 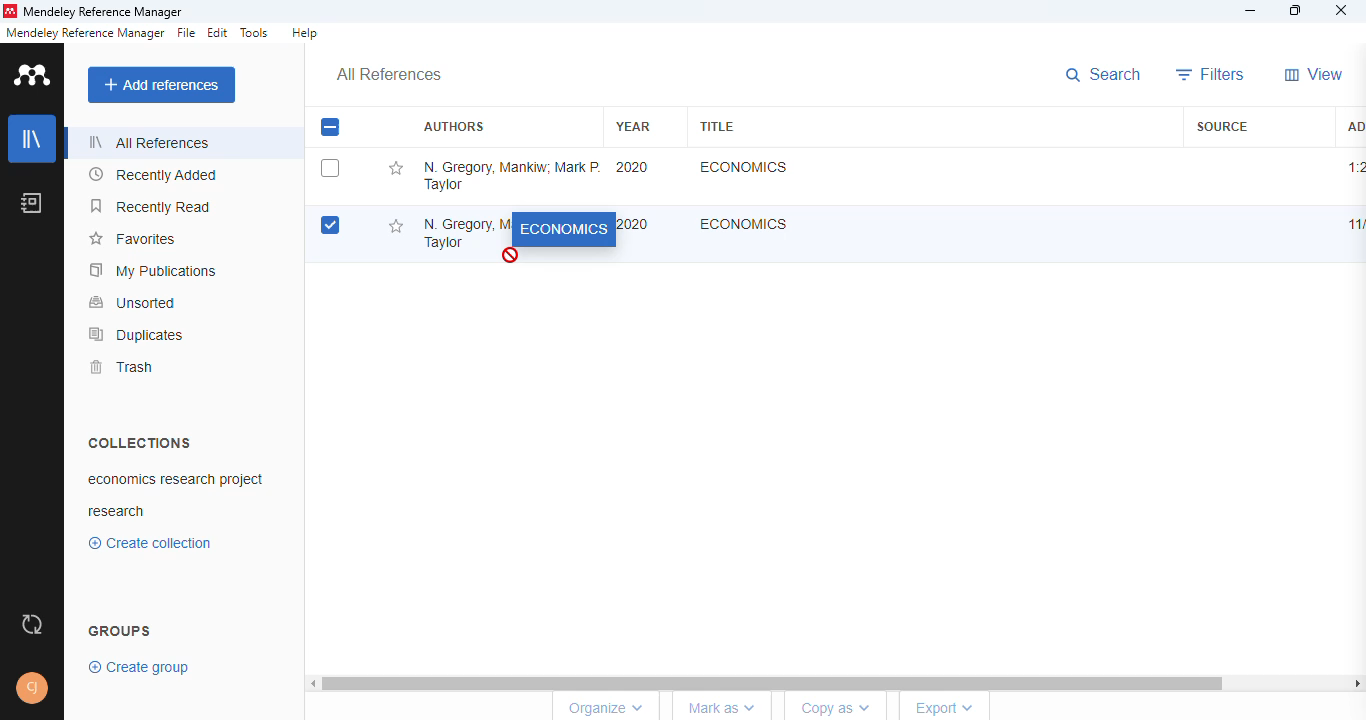 I want to click on search, so click(x=1106, y=76).